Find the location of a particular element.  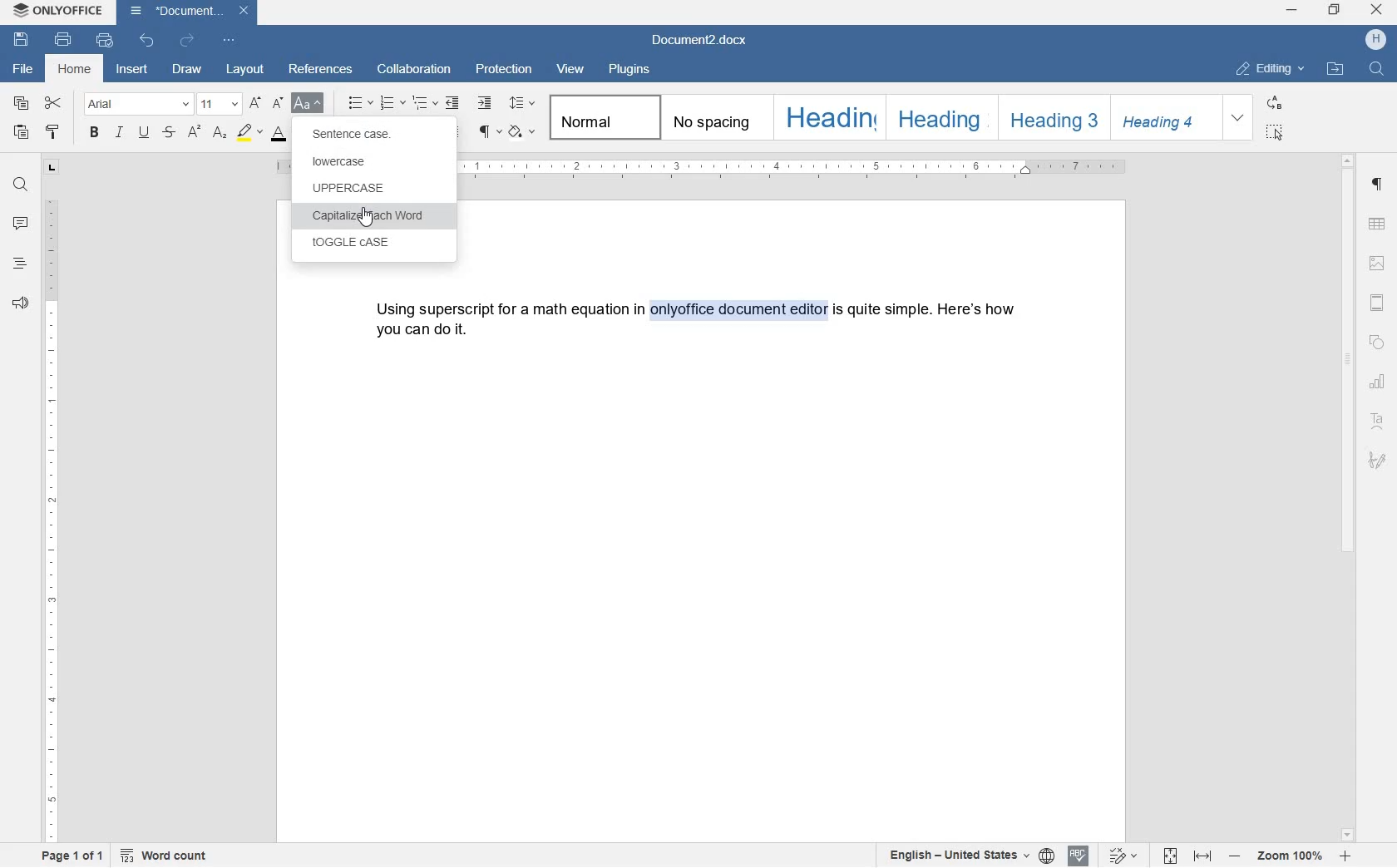

No spacing is located at coordinates (711, 116).